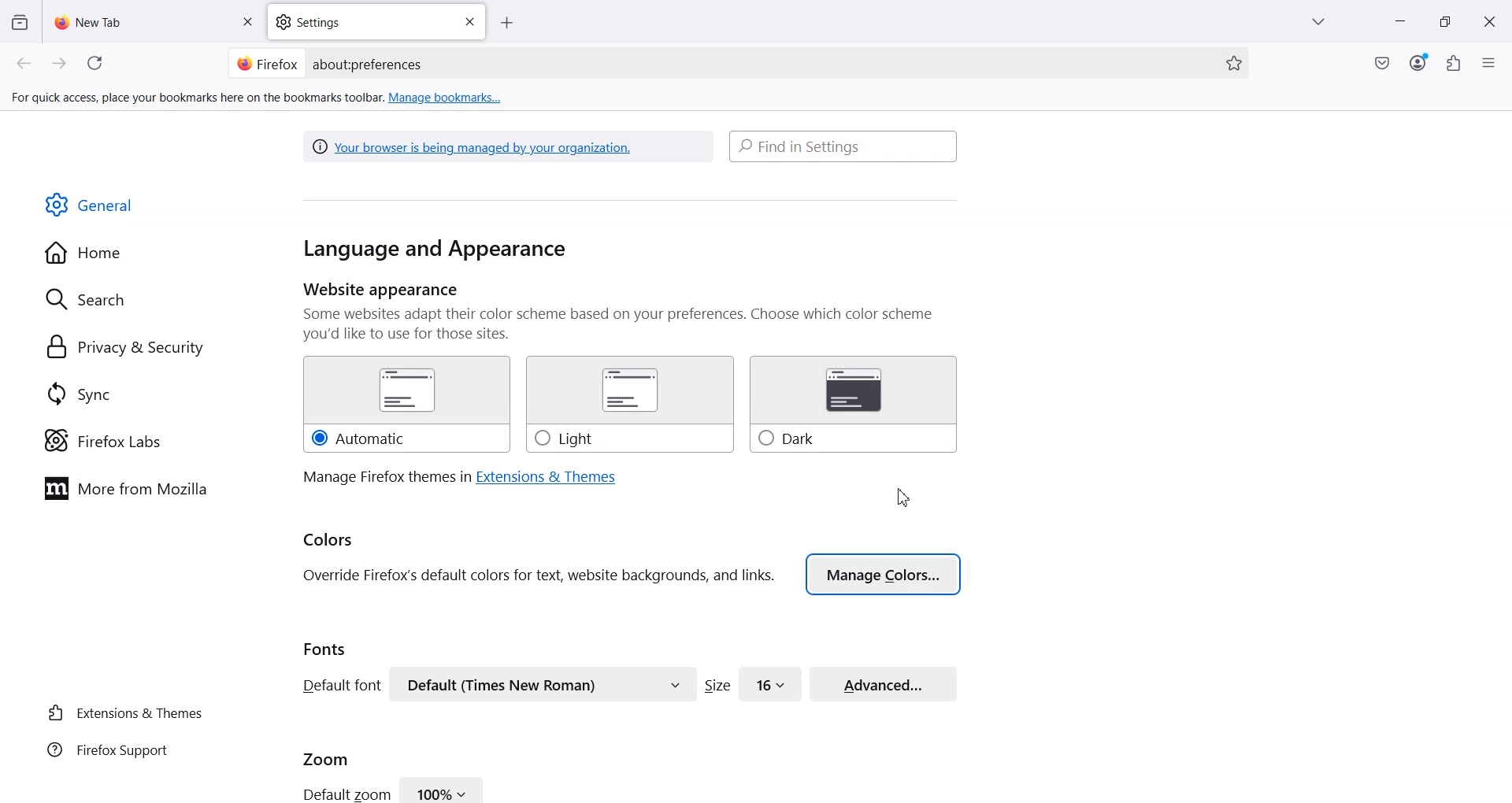 This screenshot has height=803, width=1512. I want to click on Hamburger menu, so click(1491, 64).